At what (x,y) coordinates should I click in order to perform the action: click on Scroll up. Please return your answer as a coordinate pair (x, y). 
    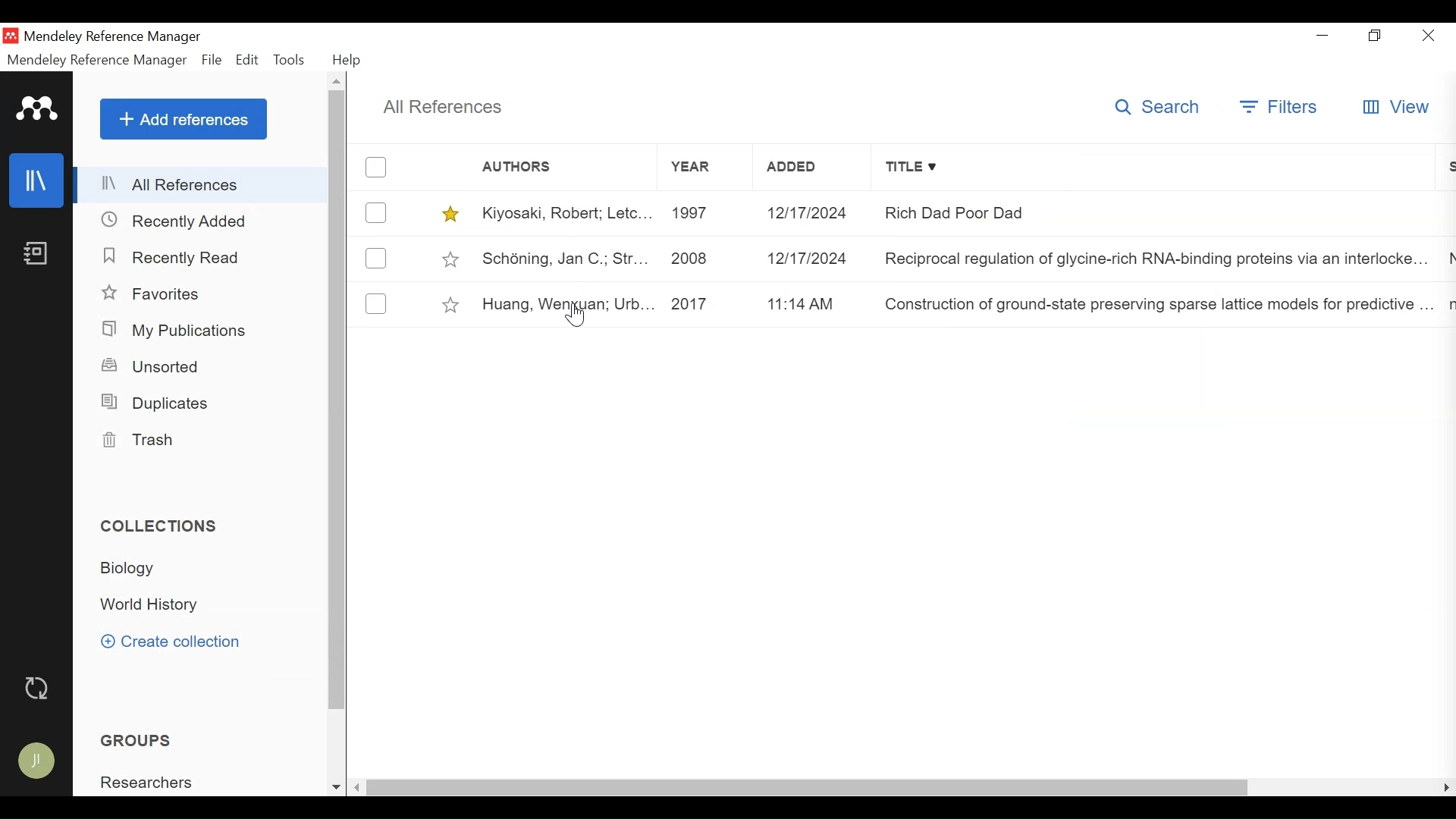
    Looking at the image, I should click on (335, 82).